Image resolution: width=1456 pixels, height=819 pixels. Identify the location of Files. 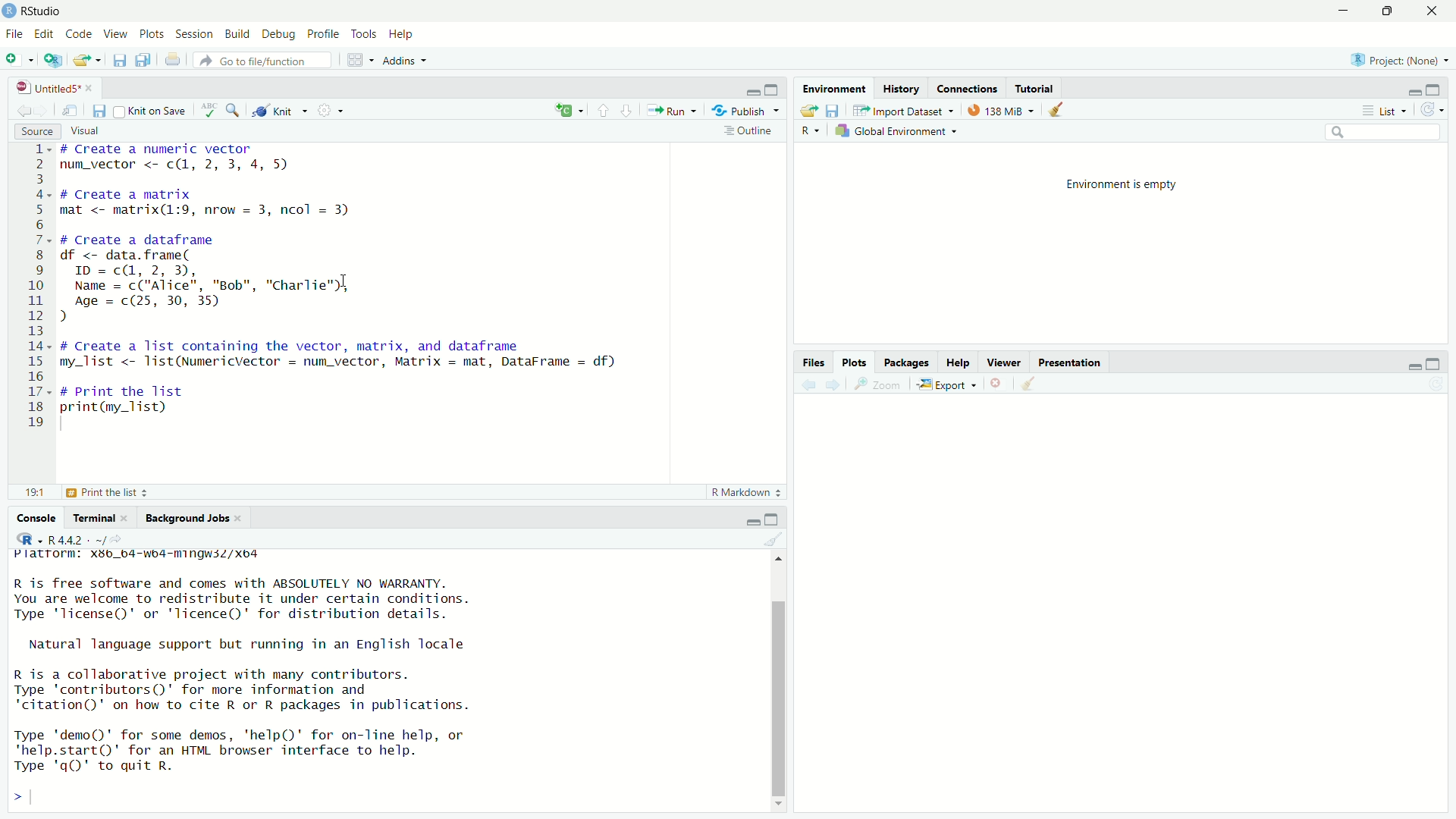
(817, 362).